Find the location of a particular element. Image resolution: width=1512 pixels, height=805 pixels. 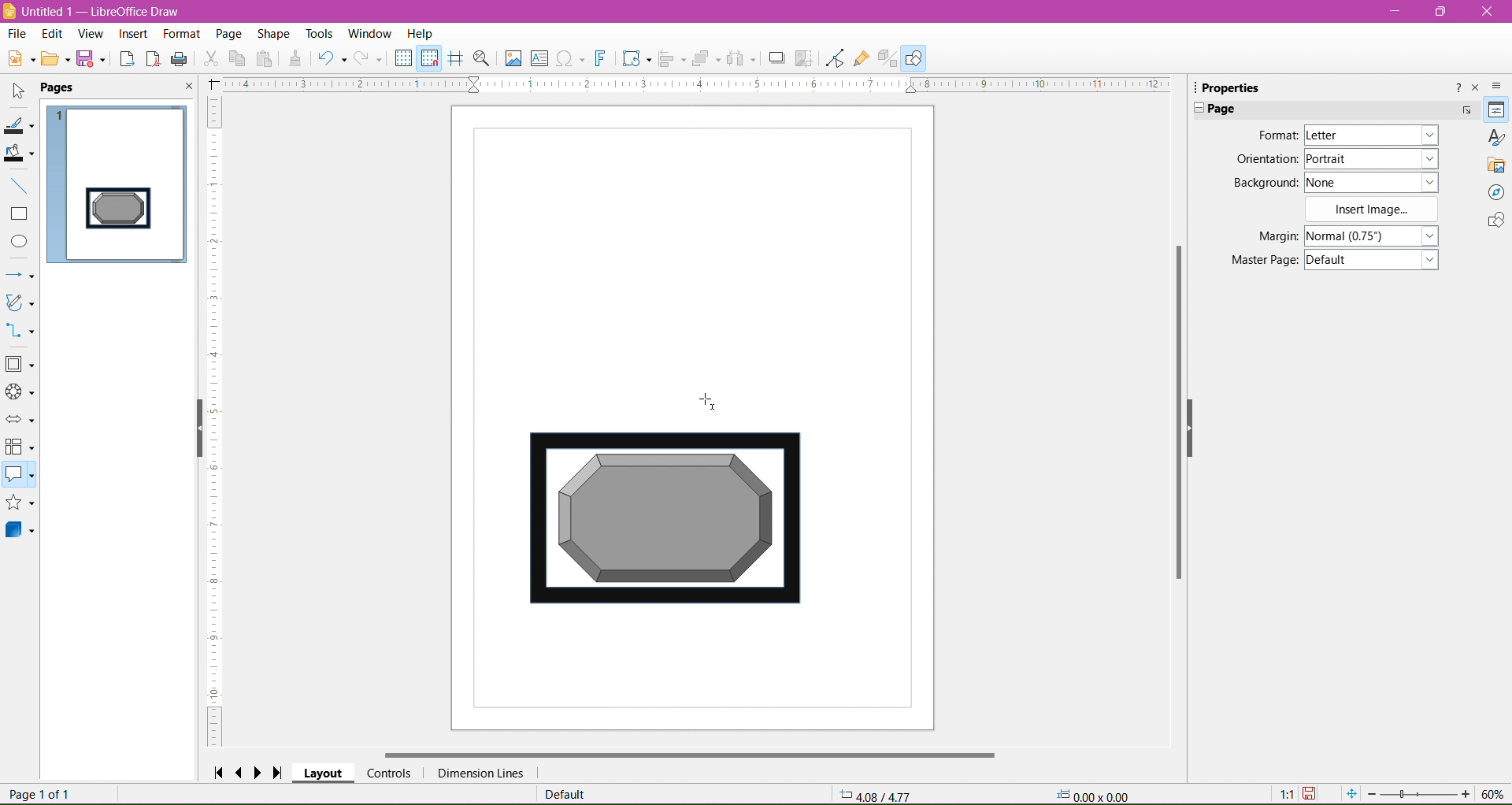

Elipse is located at coordinates (19, 242).